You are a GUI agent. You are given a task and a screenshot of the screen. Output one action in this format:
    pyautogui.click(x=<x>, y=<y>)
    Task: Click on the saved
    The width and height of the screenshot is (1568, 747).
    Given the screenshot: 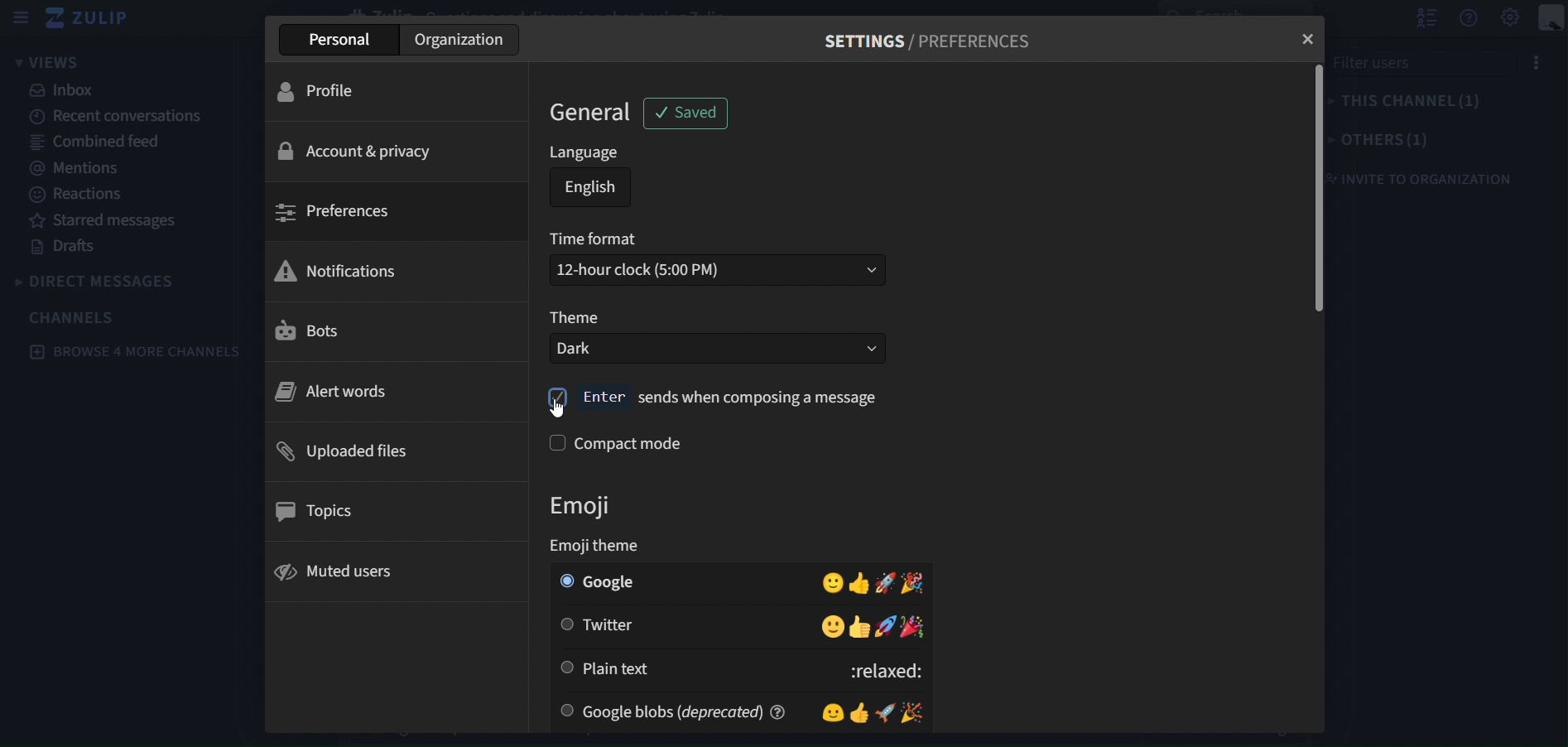 What is the action you would take?
    pyautogui.click(x=690, y=113)
    